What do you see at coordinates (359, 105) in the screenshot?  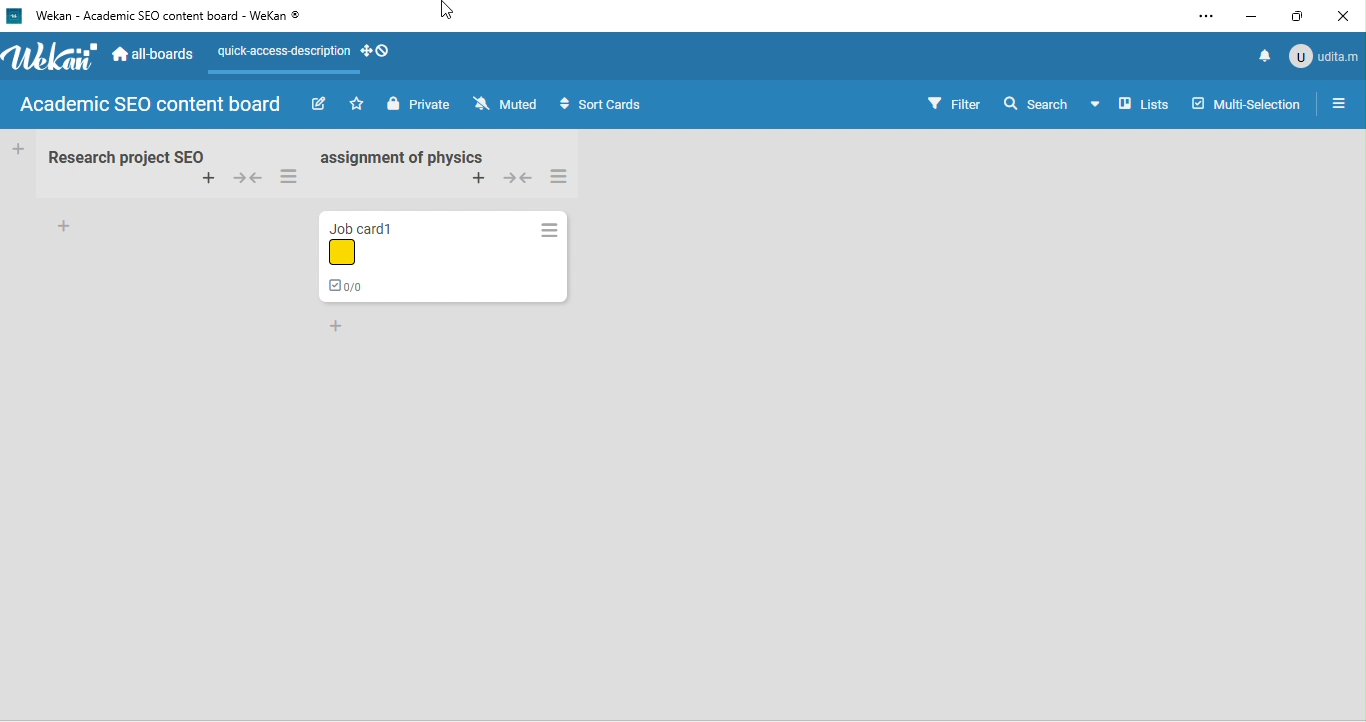 I see `star this board` at bounding box center [359, 105].